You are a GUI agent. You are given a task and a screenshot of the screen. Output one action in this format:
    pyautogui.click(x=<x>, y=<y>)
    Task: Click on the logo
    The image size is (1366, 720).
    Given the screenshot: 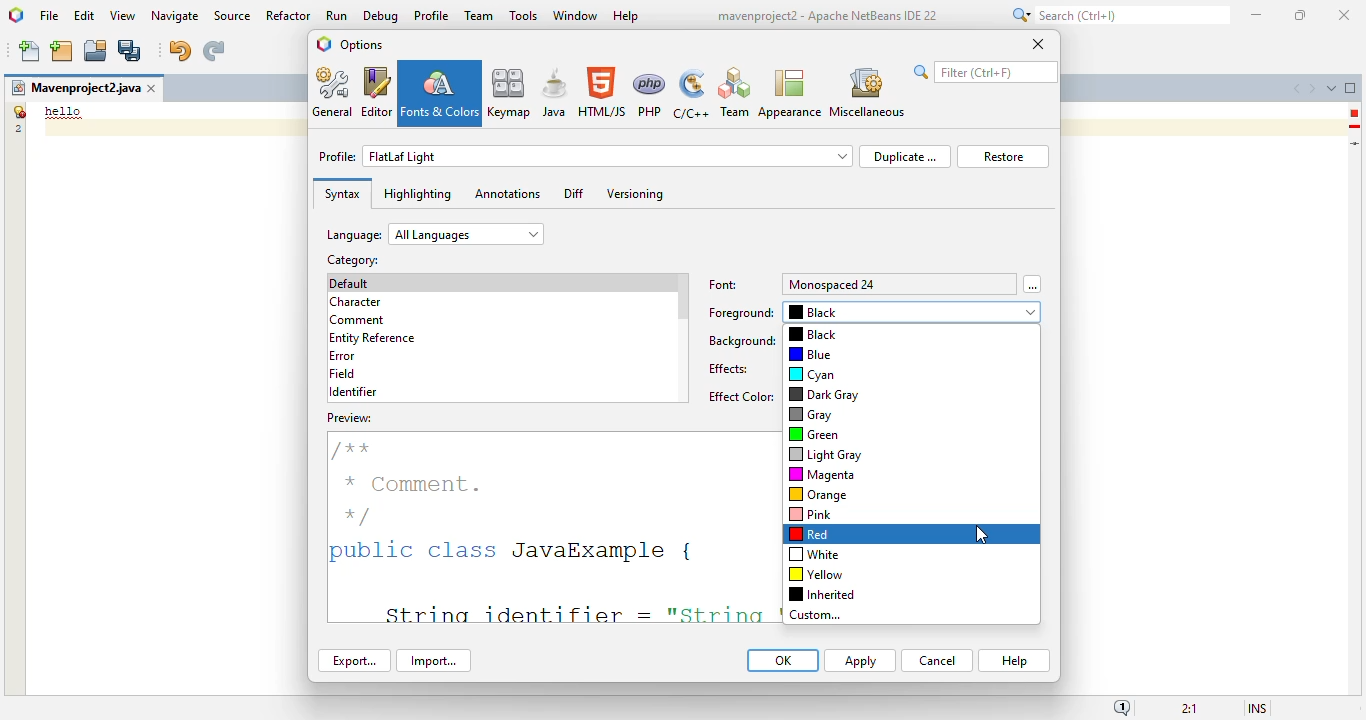 What is the action you would take?
    pyautogui.click(x=17, y=15)
    